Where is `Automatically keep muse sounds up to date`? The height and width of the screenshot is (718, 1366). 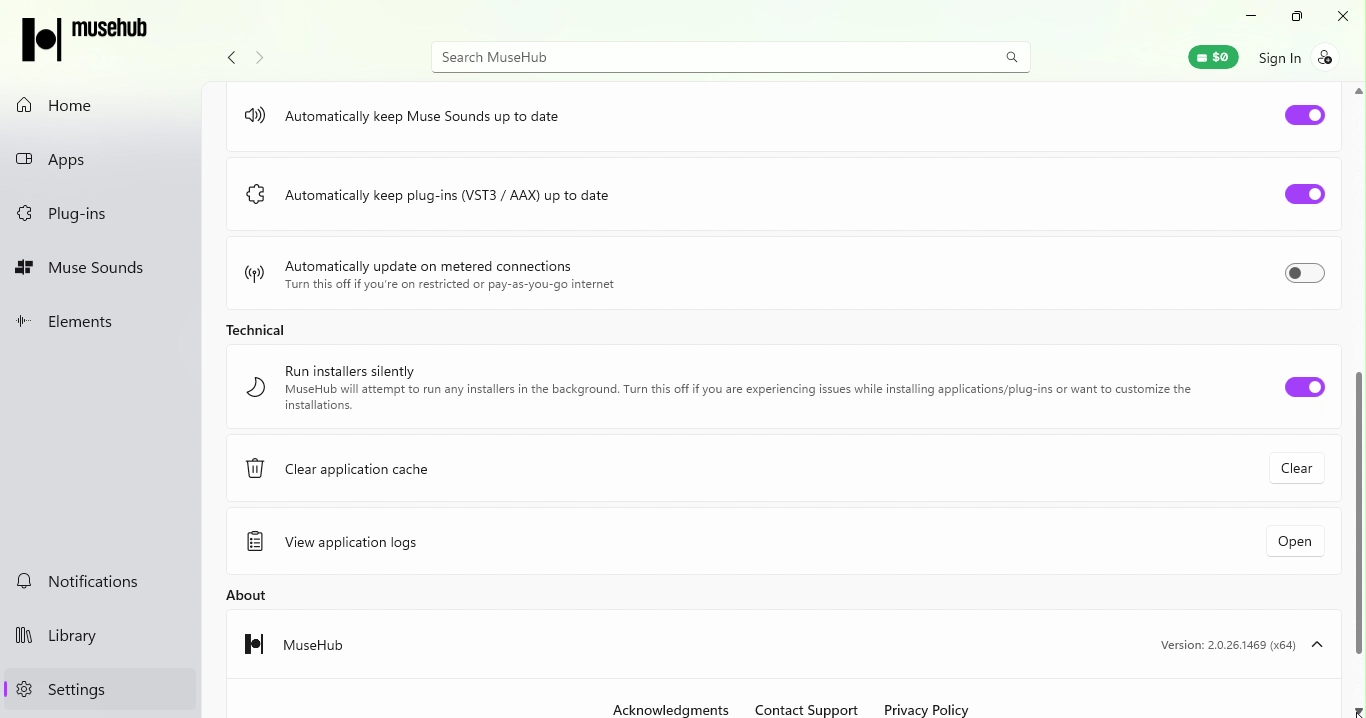 Automatically keep muse sounds up to date is located at coordinates (404, 118).